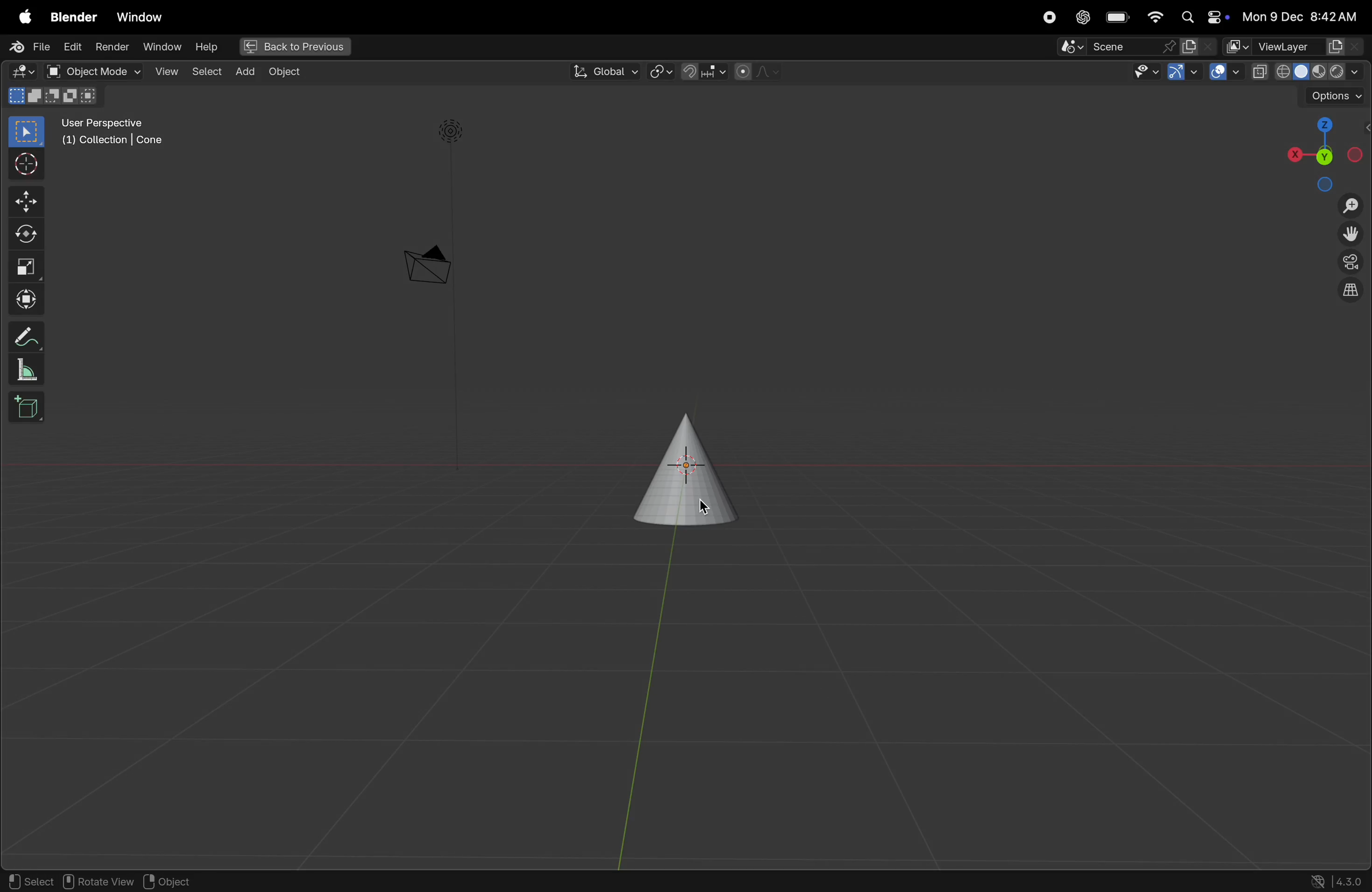 The height and width of the screenshot is (892, 1372). Describe the element at coordinates (1197, 46) in the screenshot. I see `new scene` at that location.